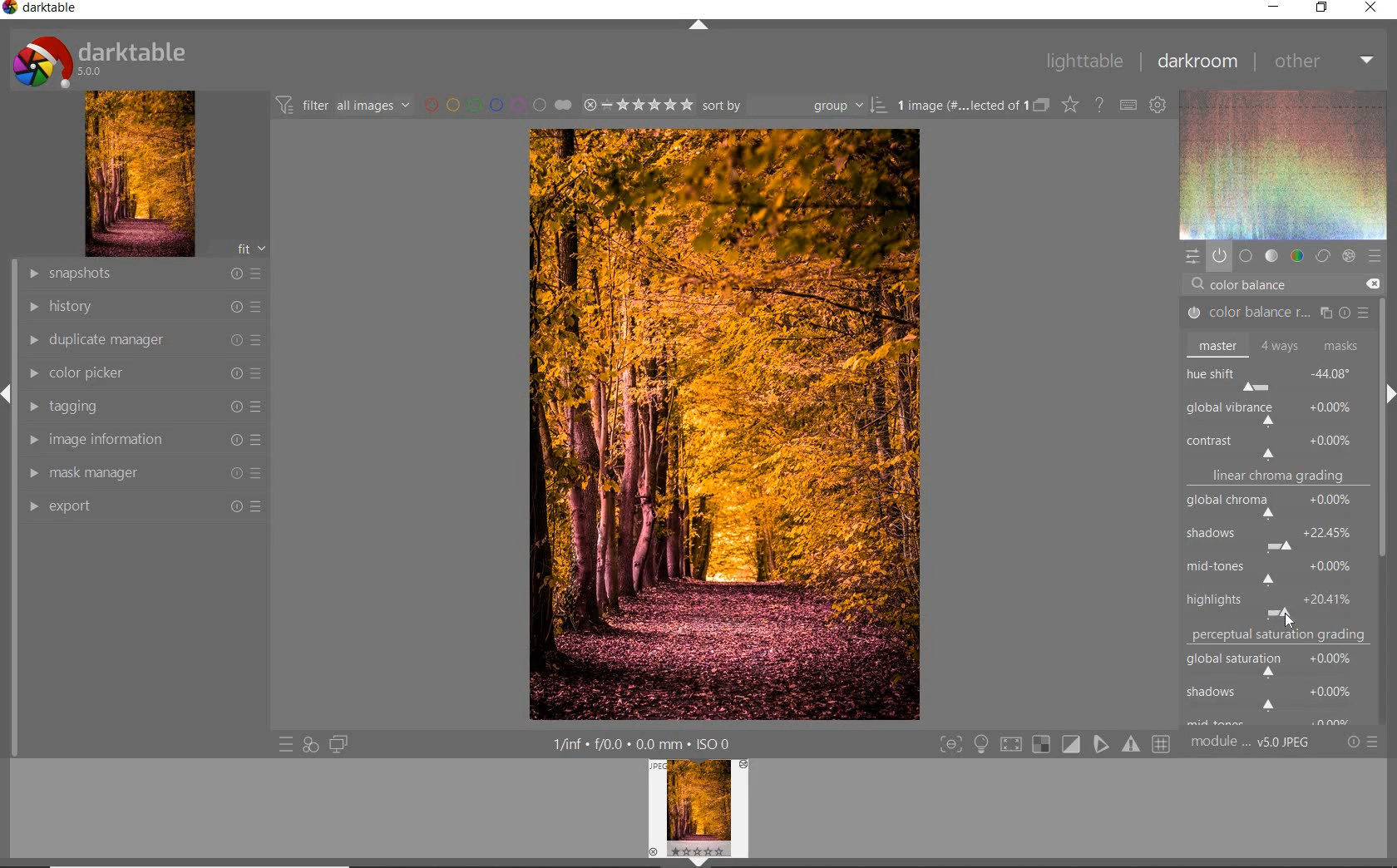 This screenshot has height=868, width=1397. I want to click on correct, so click(1322, 257).